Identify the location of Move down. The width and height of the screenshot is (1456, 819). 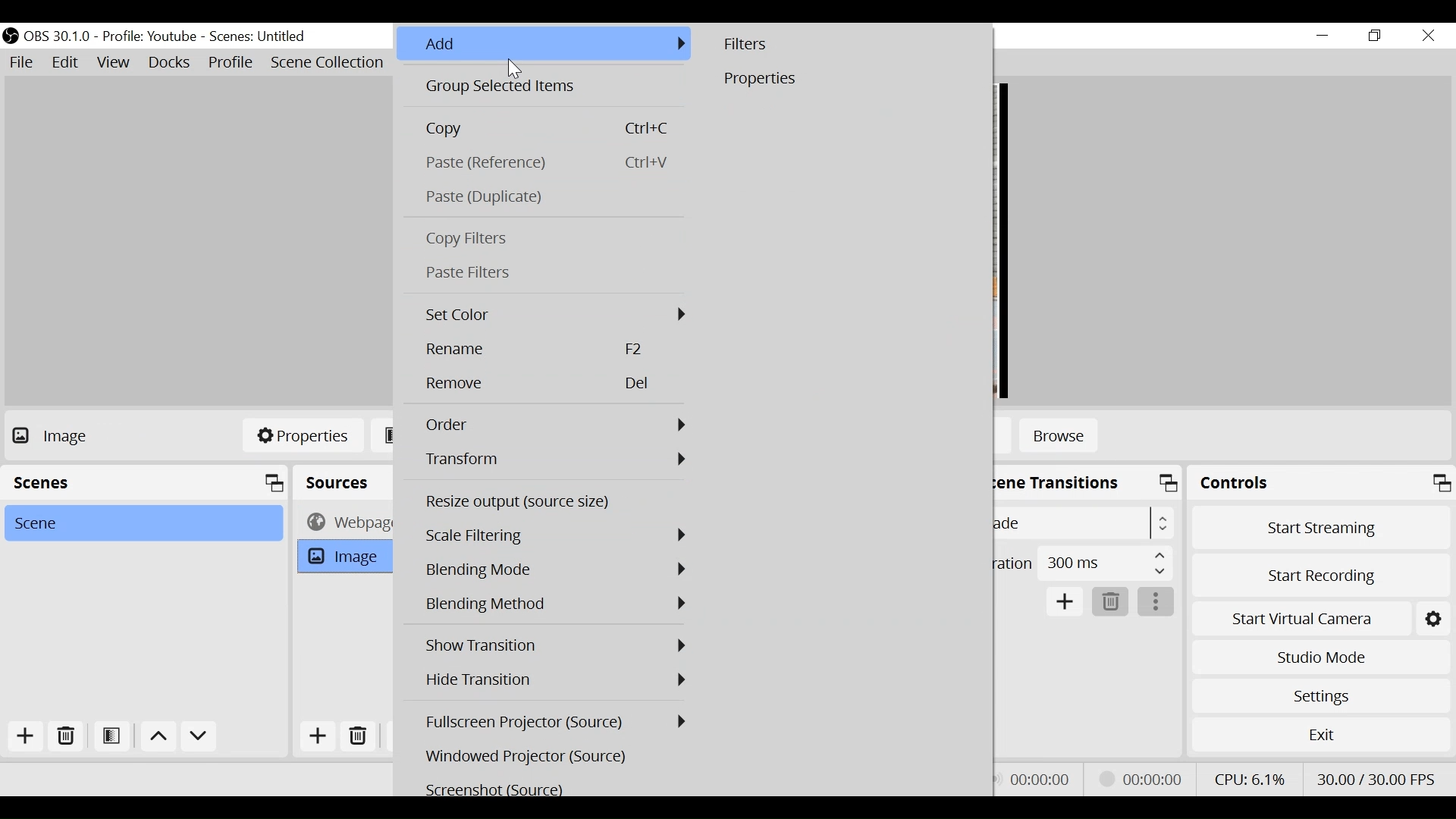
(199, 738).